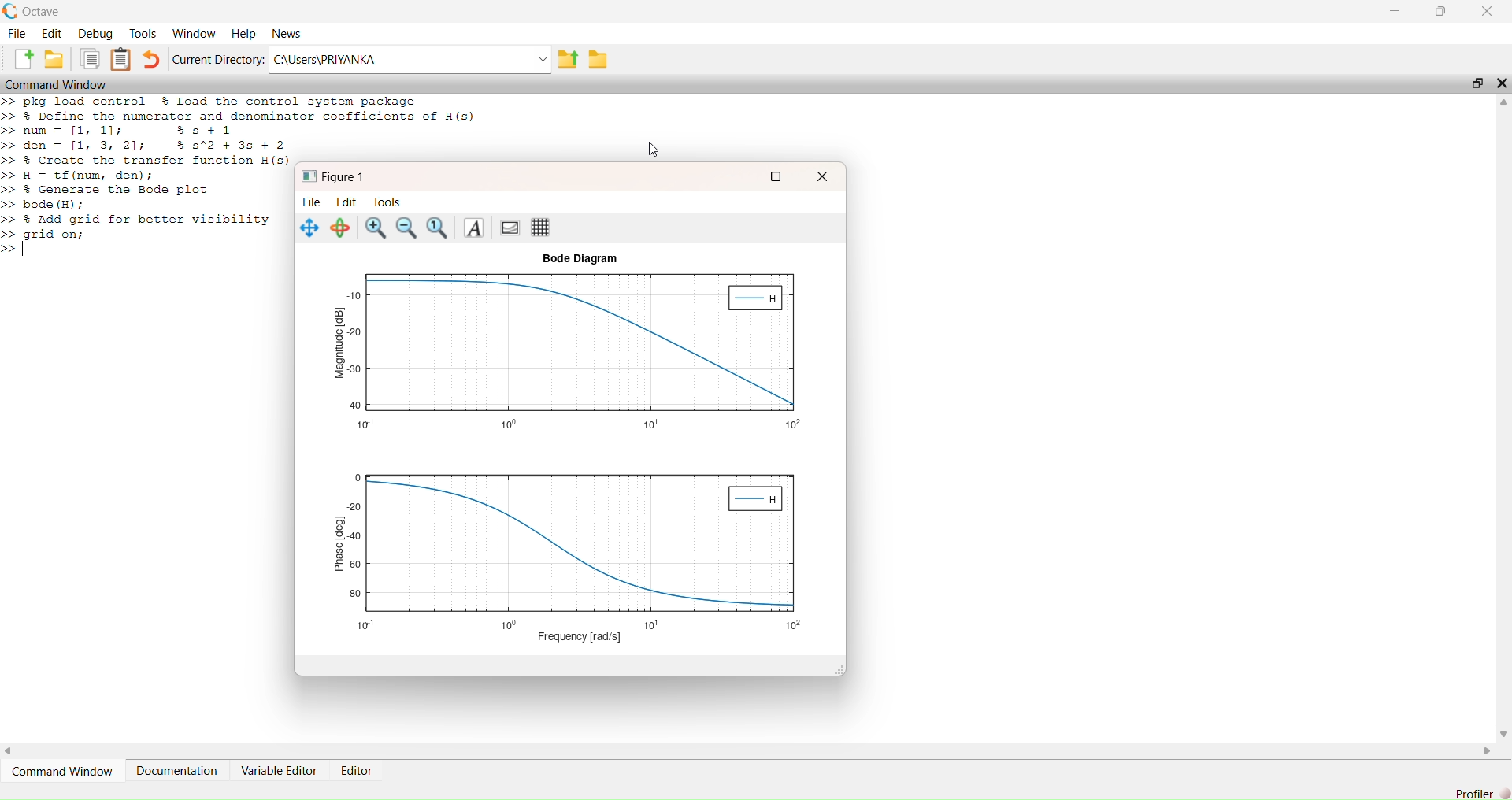  What do you see at coordinates (1395, 11) in the screenshot?
I see `minimize` at bounding box center [1395, 11].